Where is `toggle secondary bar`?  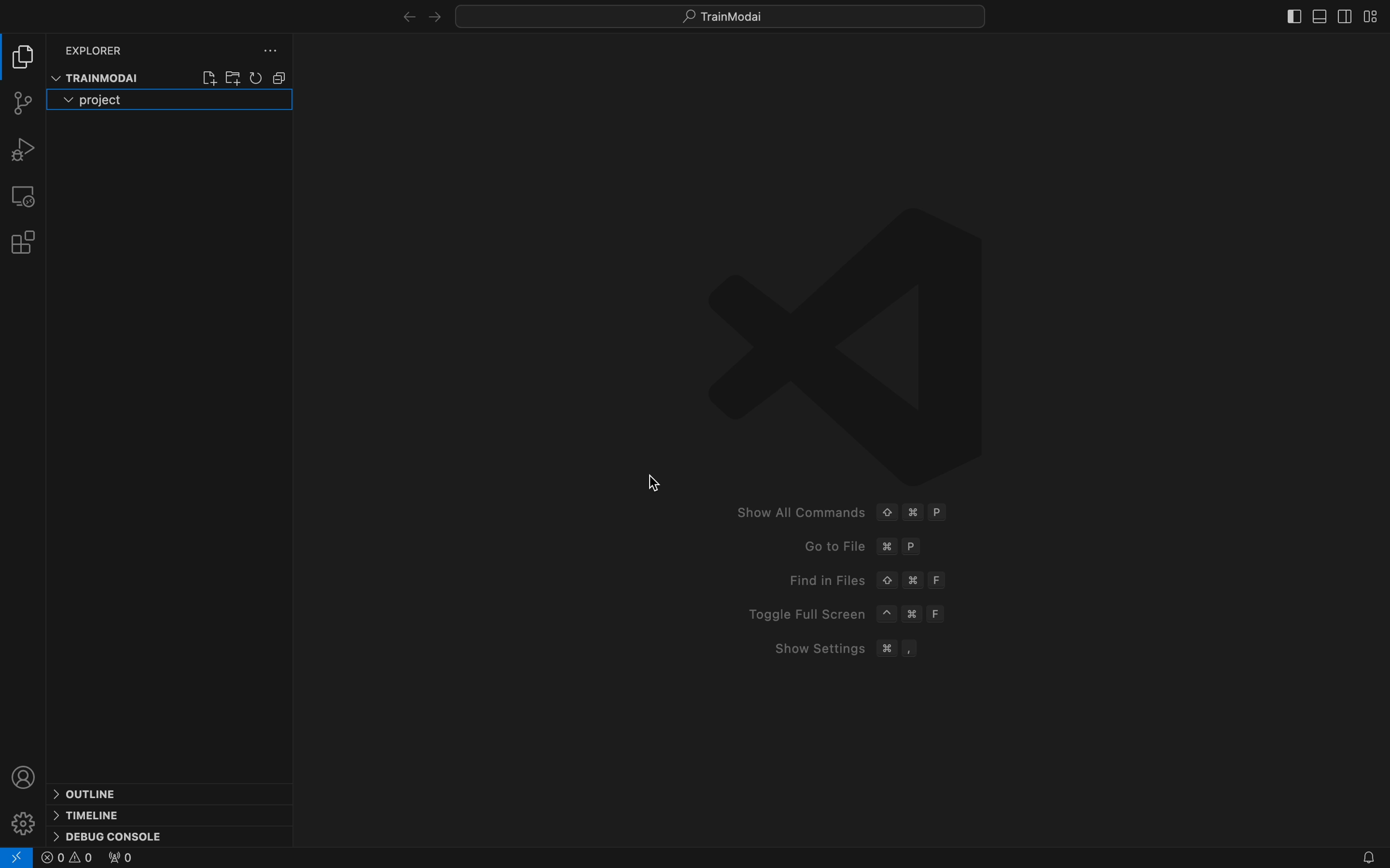 toggle secondary bar is located at coordinates (1349, 15).